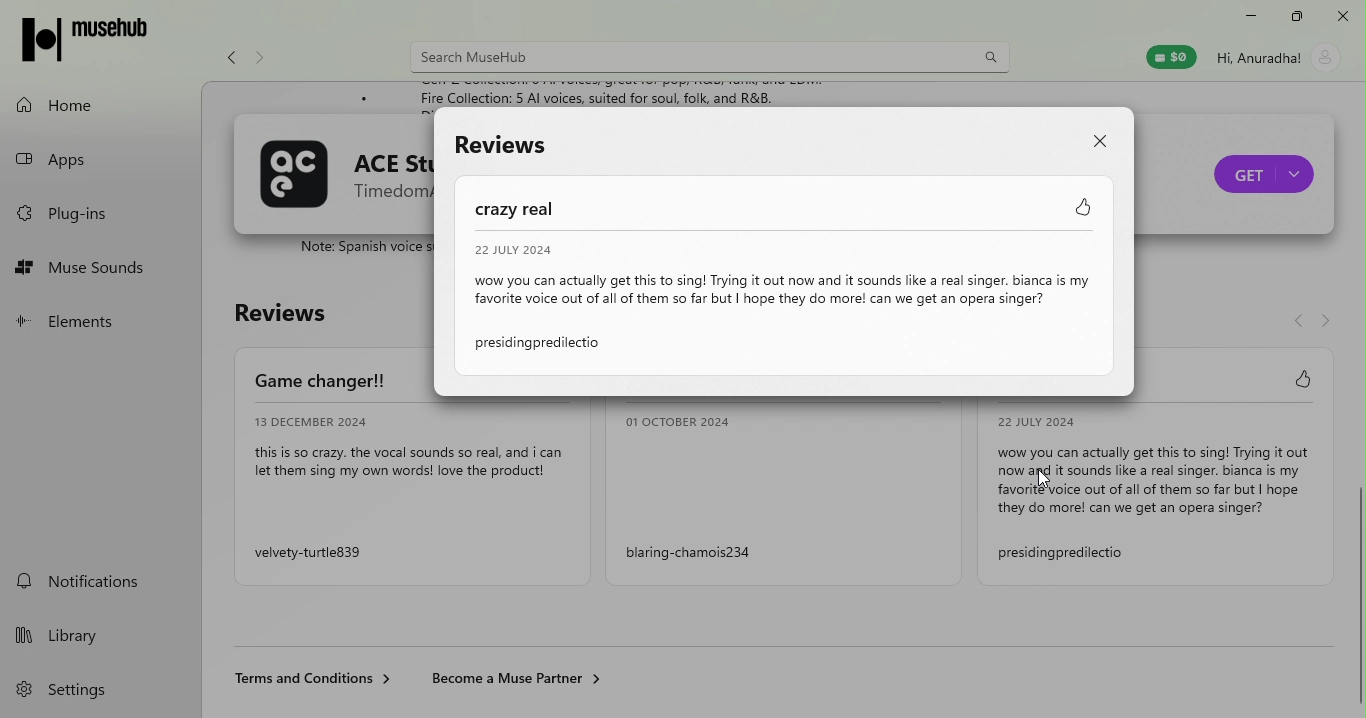 The width and height of the screenshot is (1366, 718). Describe the element at coordinates (361, 248) in the screenshot. I see `ACE Studio description text` at that location.